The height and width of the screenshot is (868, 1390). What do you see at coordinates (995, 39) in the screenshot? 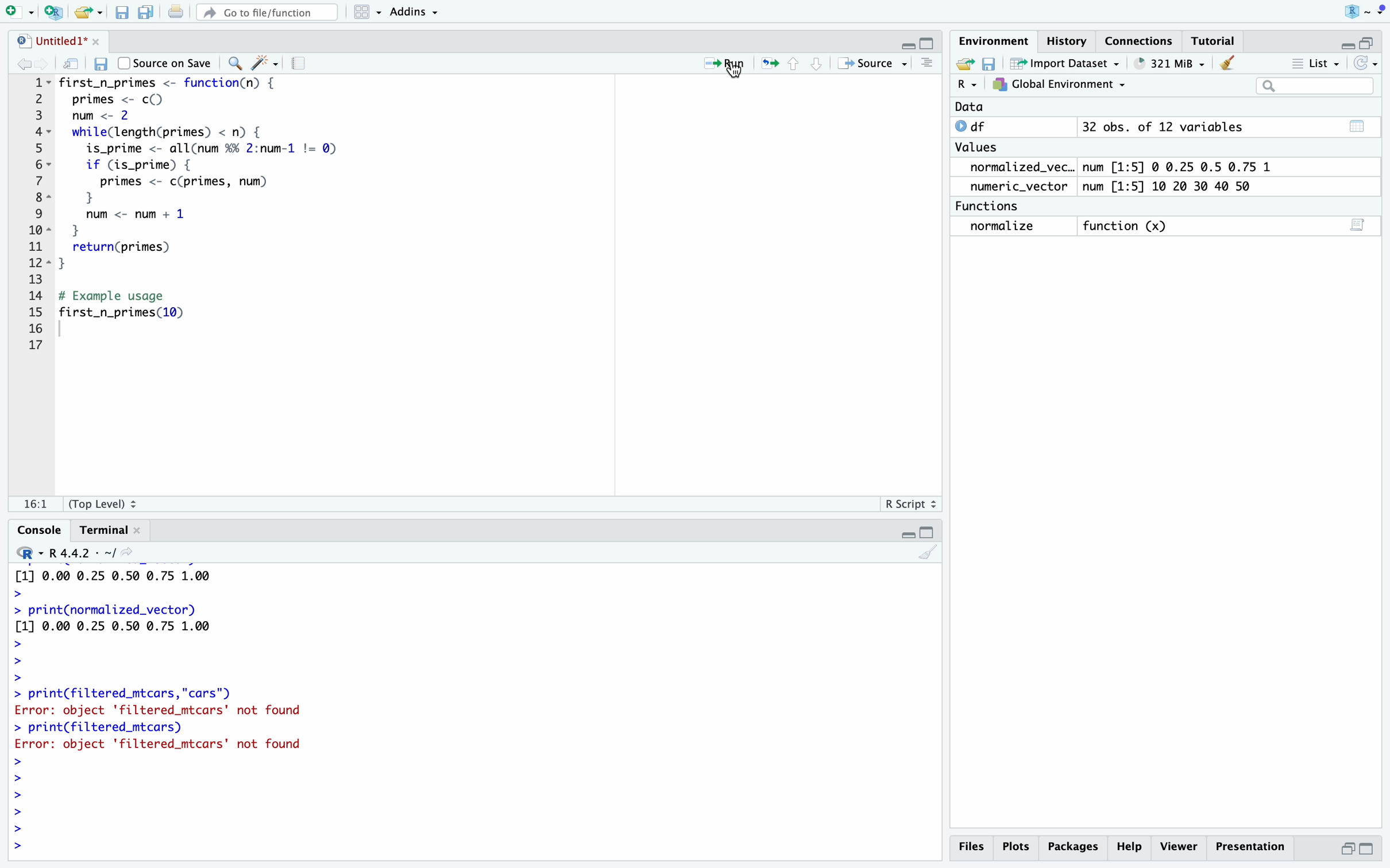
I see `Environment` at bounding box center [995, 39].